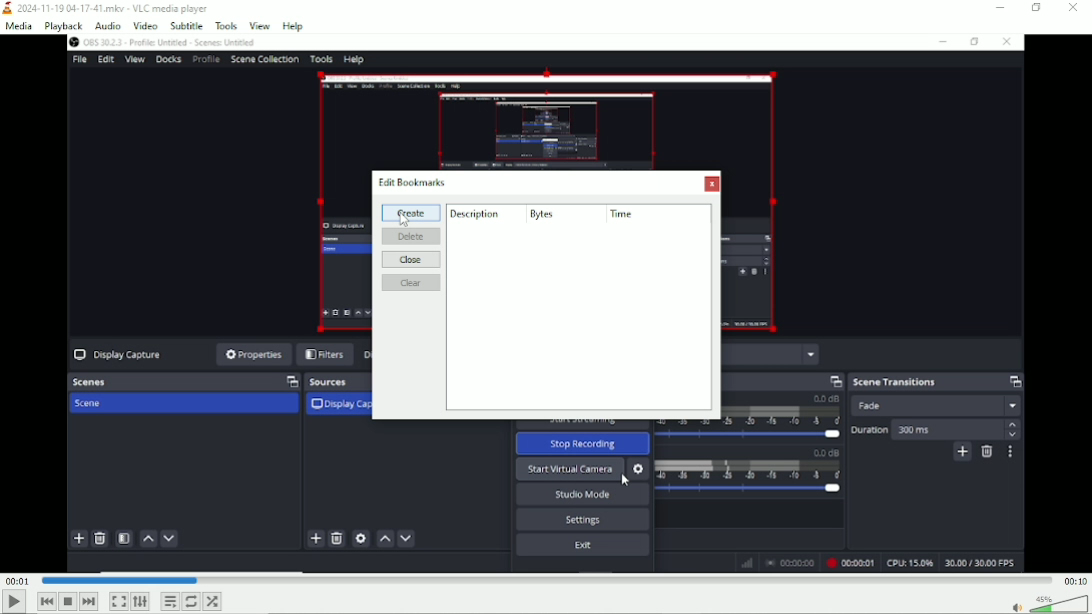 This screenshot has width=1092, height=614. Describe the element at coordinates (1036, 8) in the screenshot. I see `Restore down` at that location.